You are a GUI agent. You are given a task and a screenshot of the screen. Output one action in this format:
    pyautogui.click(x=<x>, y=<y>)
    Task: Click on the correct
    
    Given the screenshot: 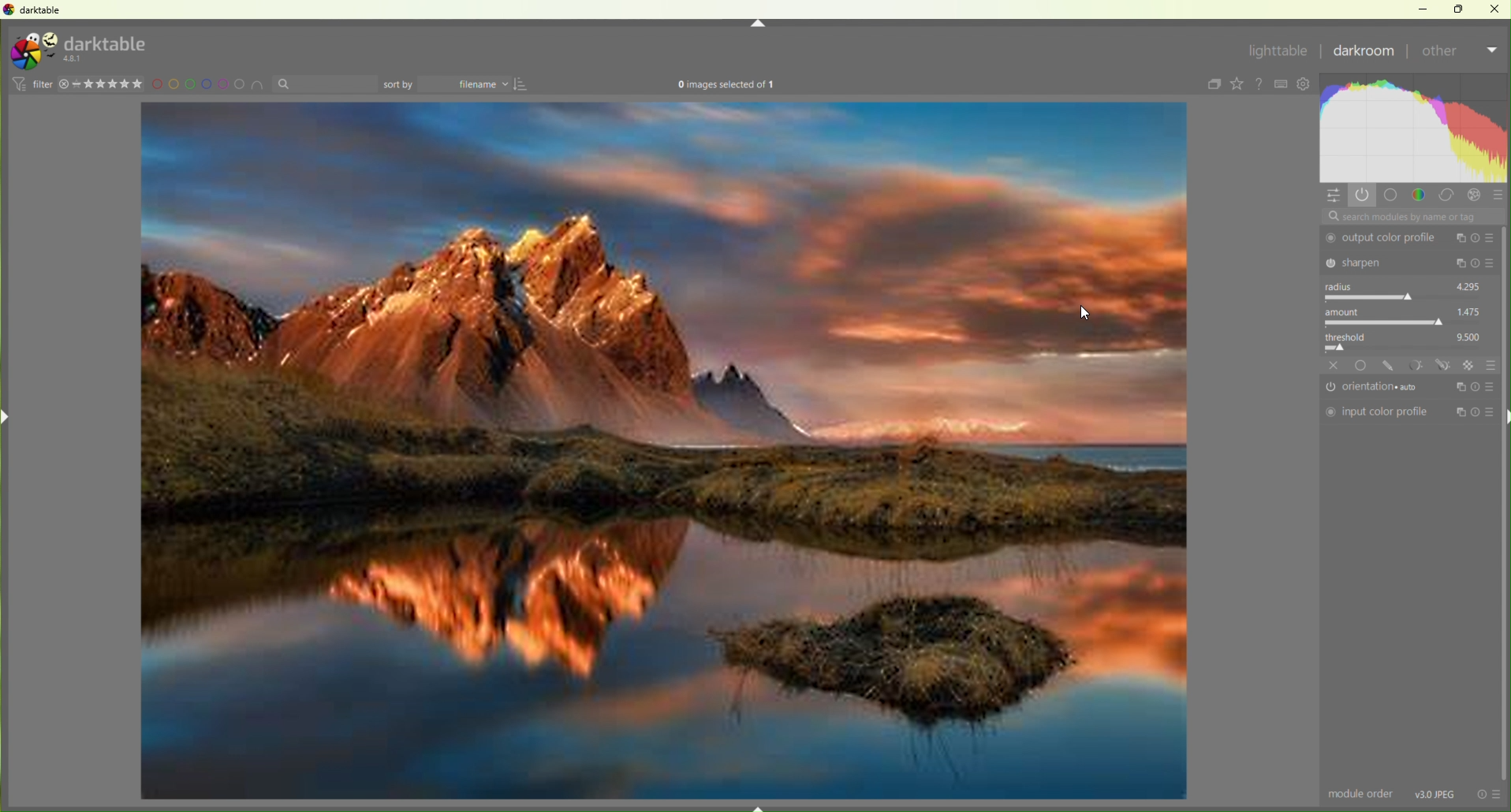 What is the action you would take?
    pyautogui.click(x=1447, y=196)
    